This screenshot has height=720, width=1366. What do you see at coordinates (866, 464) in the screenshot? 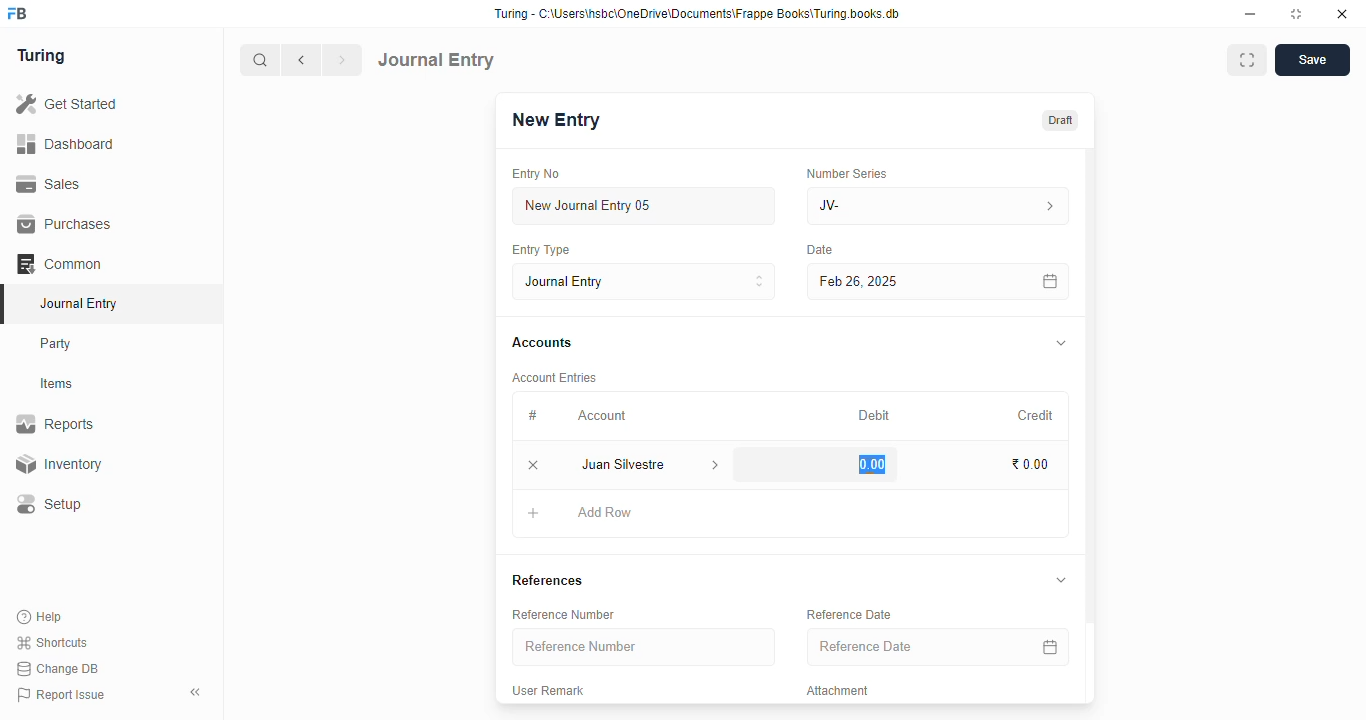
I see `typing ` at bounding box center [866, 464].